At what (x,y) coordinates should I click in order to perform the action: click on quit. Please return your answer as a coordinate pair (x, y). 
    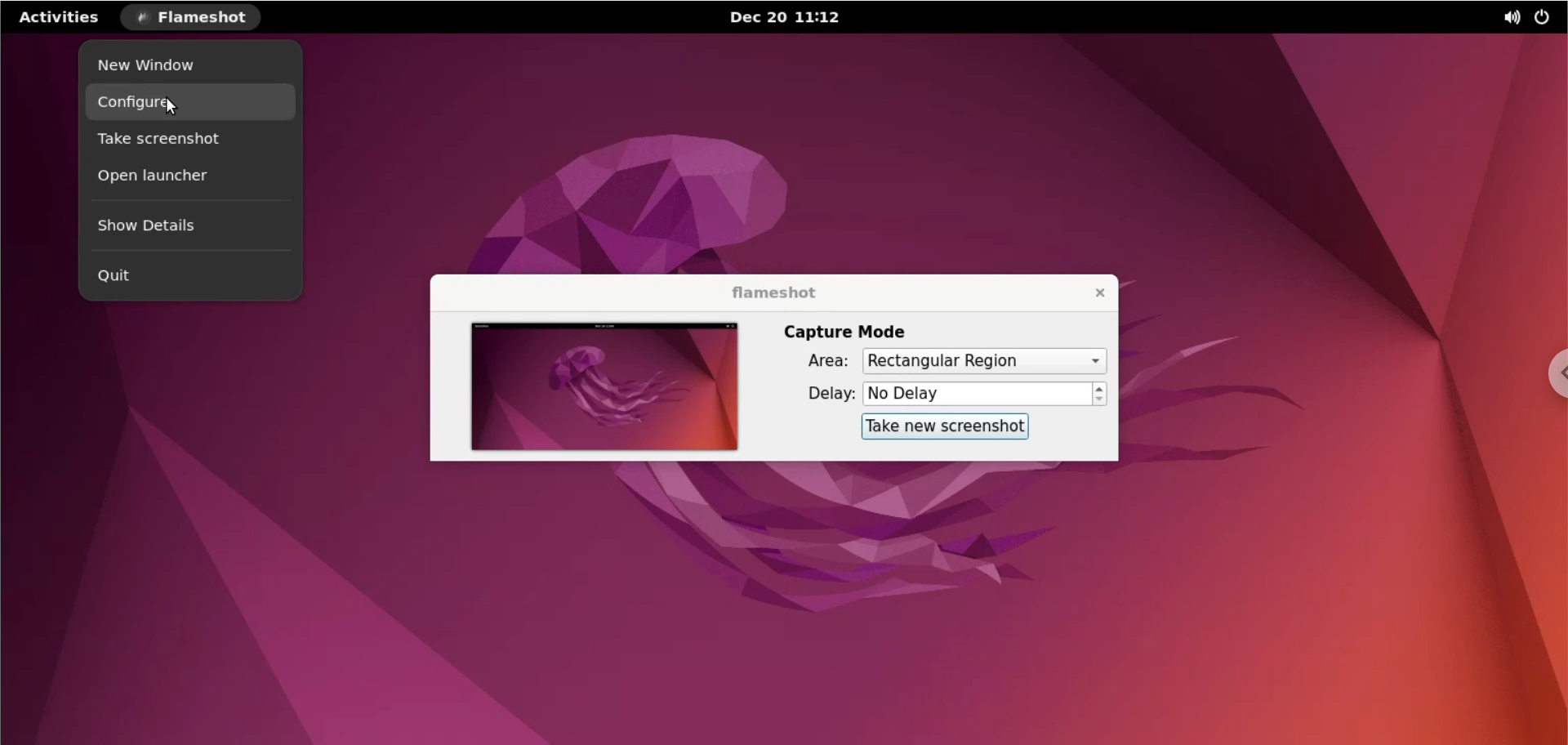
    Looking at the image, I should click on (184, 277).